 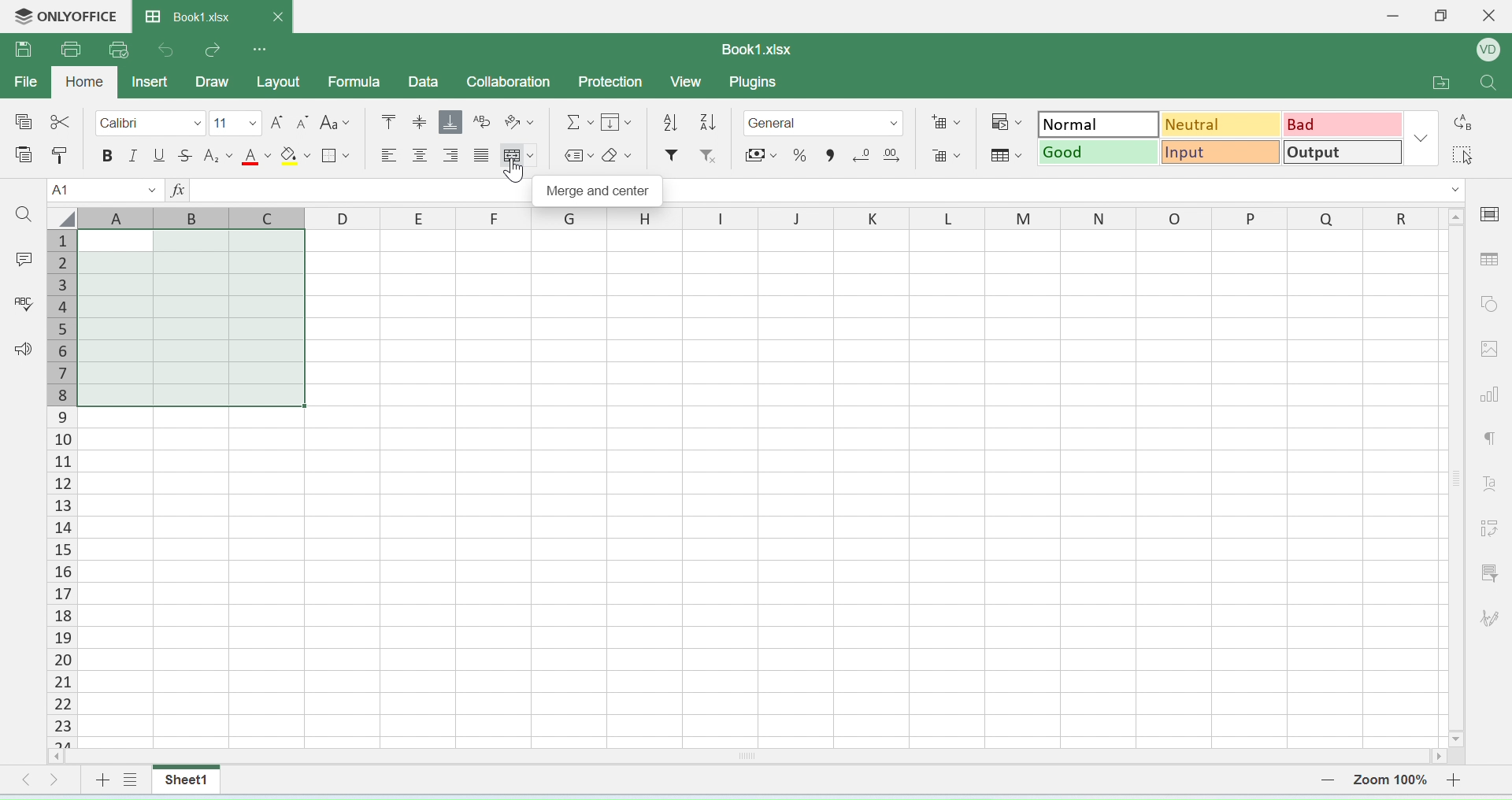 I want to click on layout, so click(x=277, y=81).